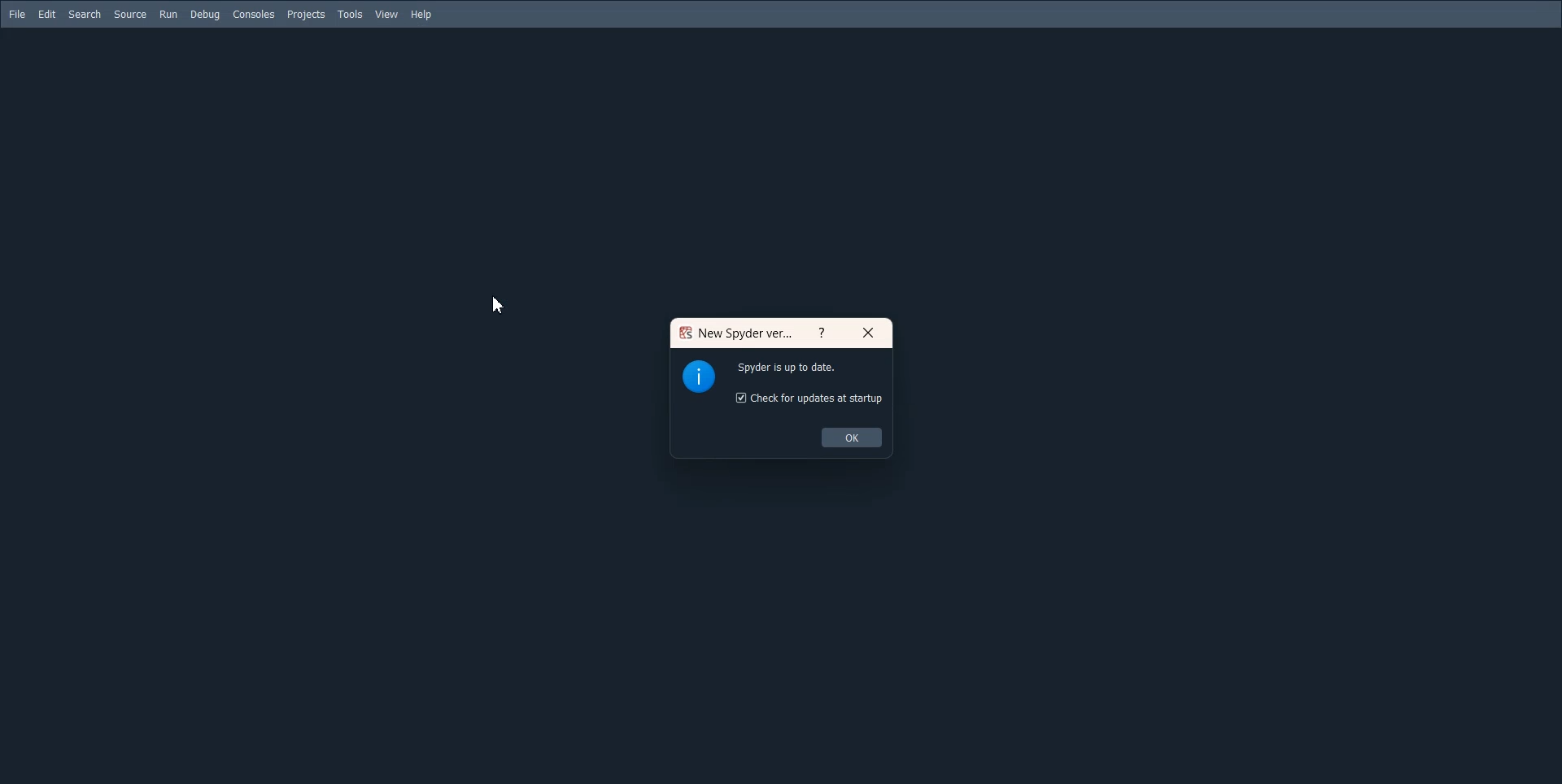 The image size is (1562, 784). Describe the element at coordinates (823, 333) in the screenshot. I see `Help` at that location.